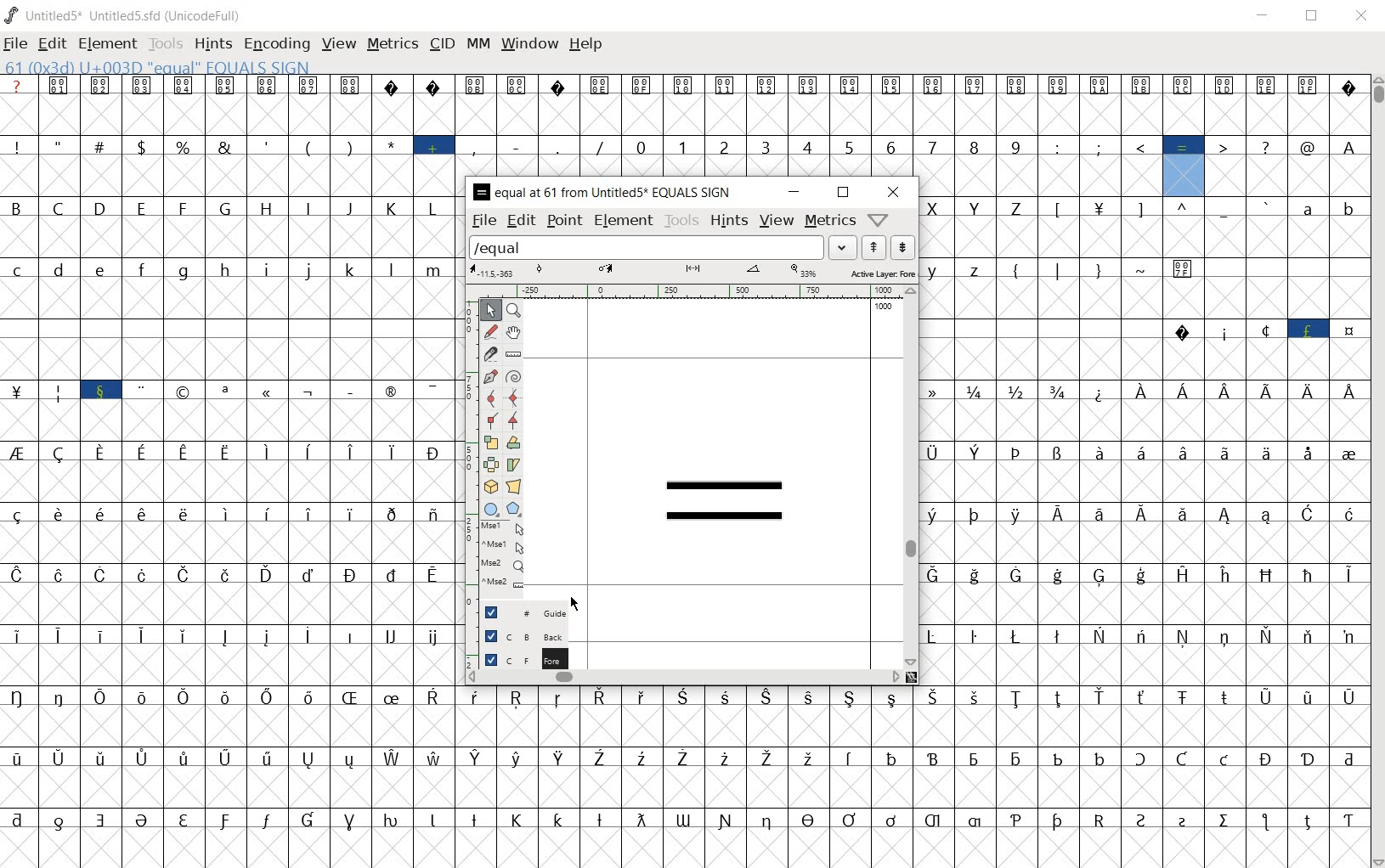 Image resolution: width=1385 pixels, height=868 pixels. I want to click on Help/Window, so click(879, 219).